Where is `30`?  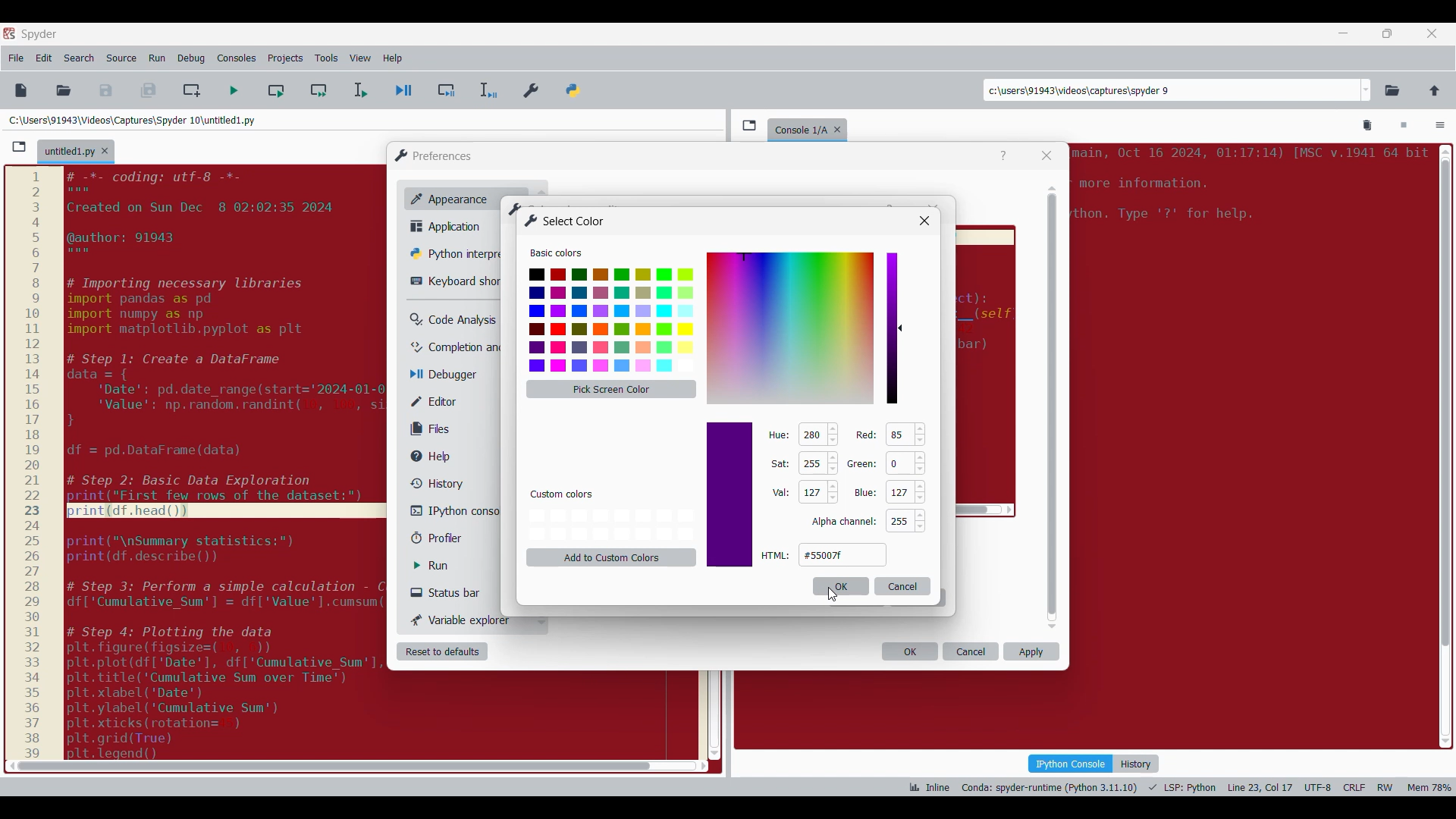
30 is located at coordinates (898, 492).